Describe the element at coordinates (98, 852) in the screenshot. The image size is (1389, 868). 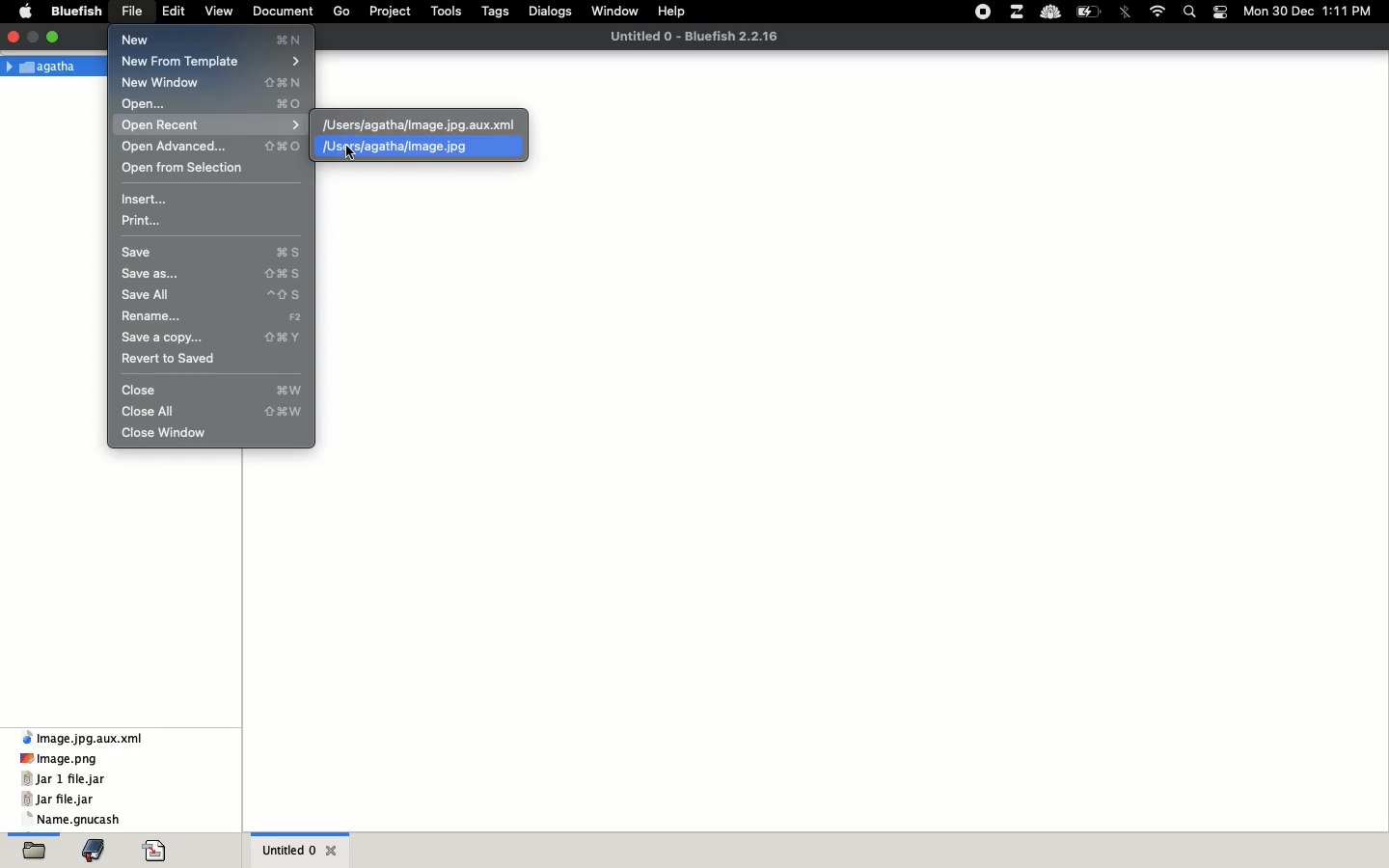
I see `bookmark` at that location.